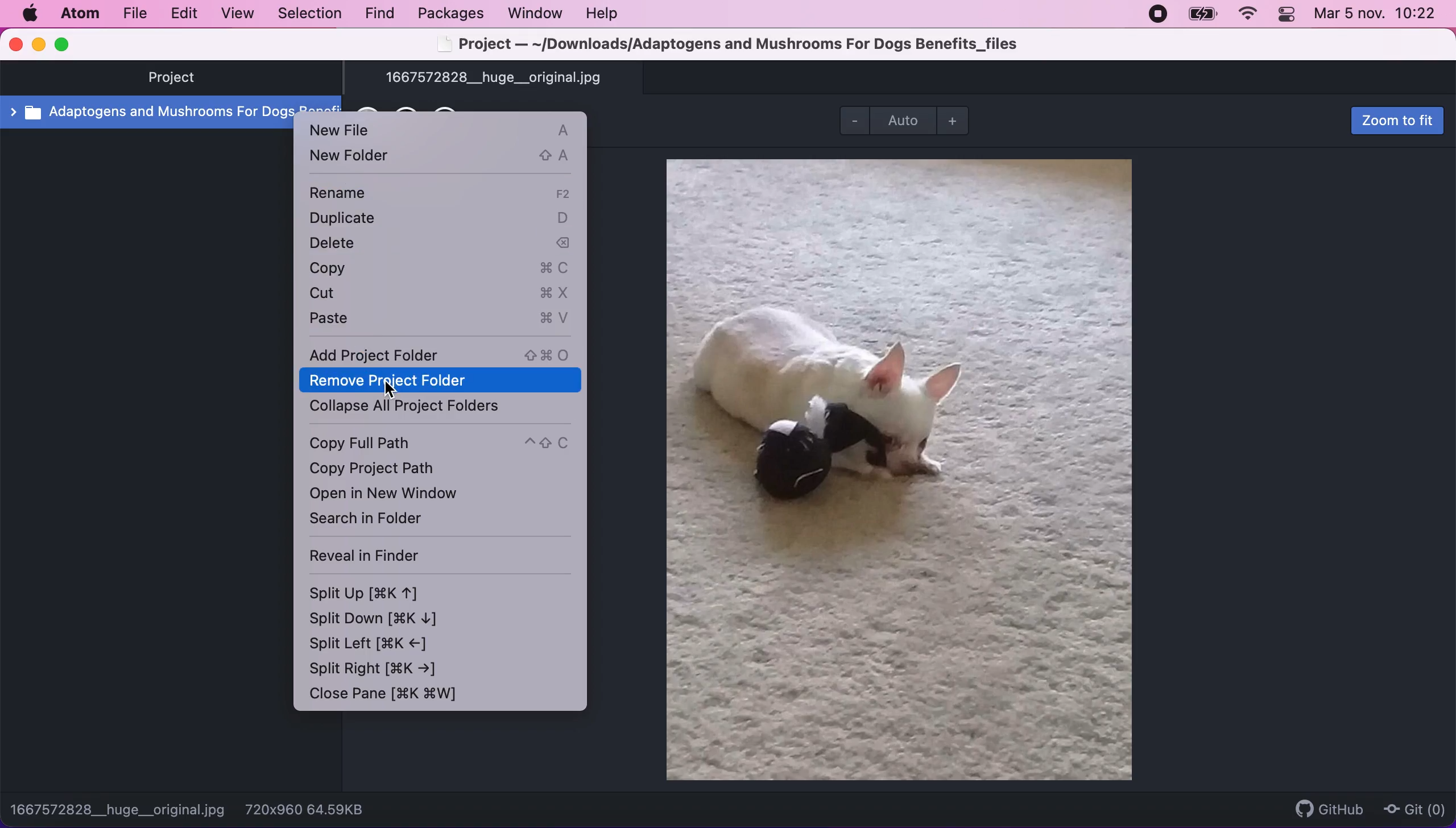 The width and height of the screenshot is (1456, 828). What do you see at coordinates (308, 14) in the screenshot?
I see `selection` at bounding box center [308, 14].